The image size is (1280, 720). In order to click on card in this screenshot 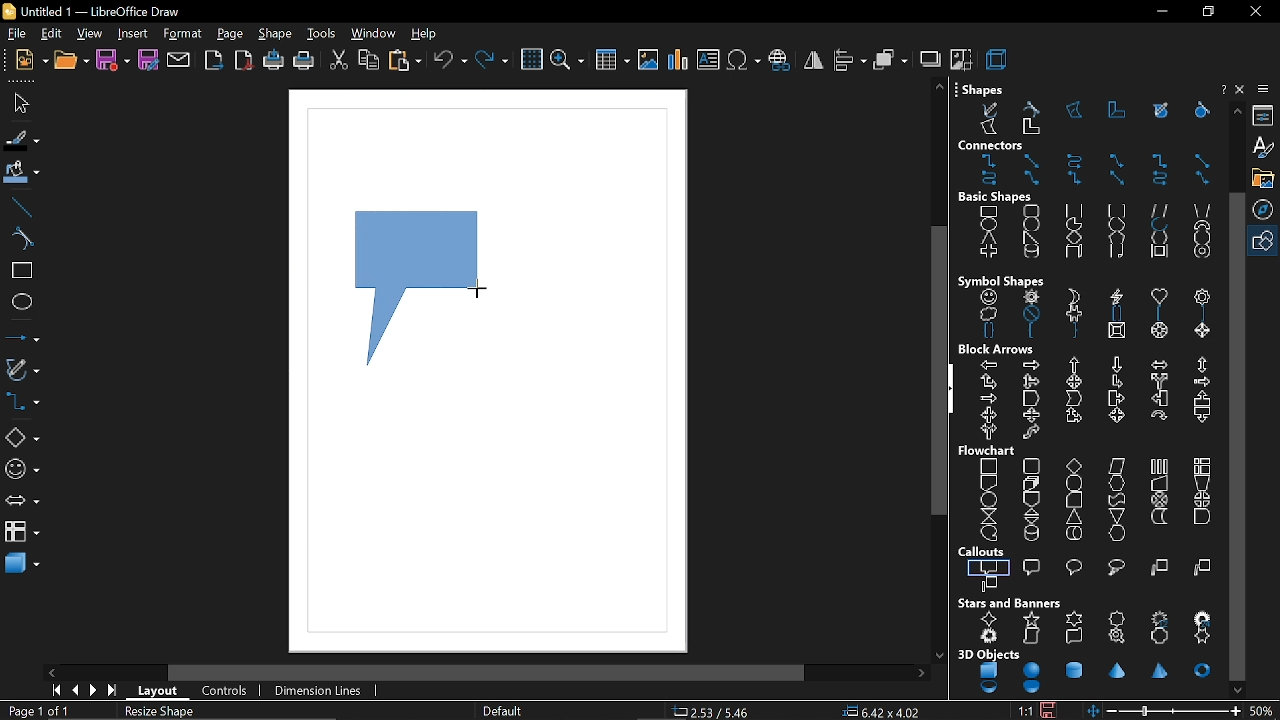, I will do `click(1071, 500)`.